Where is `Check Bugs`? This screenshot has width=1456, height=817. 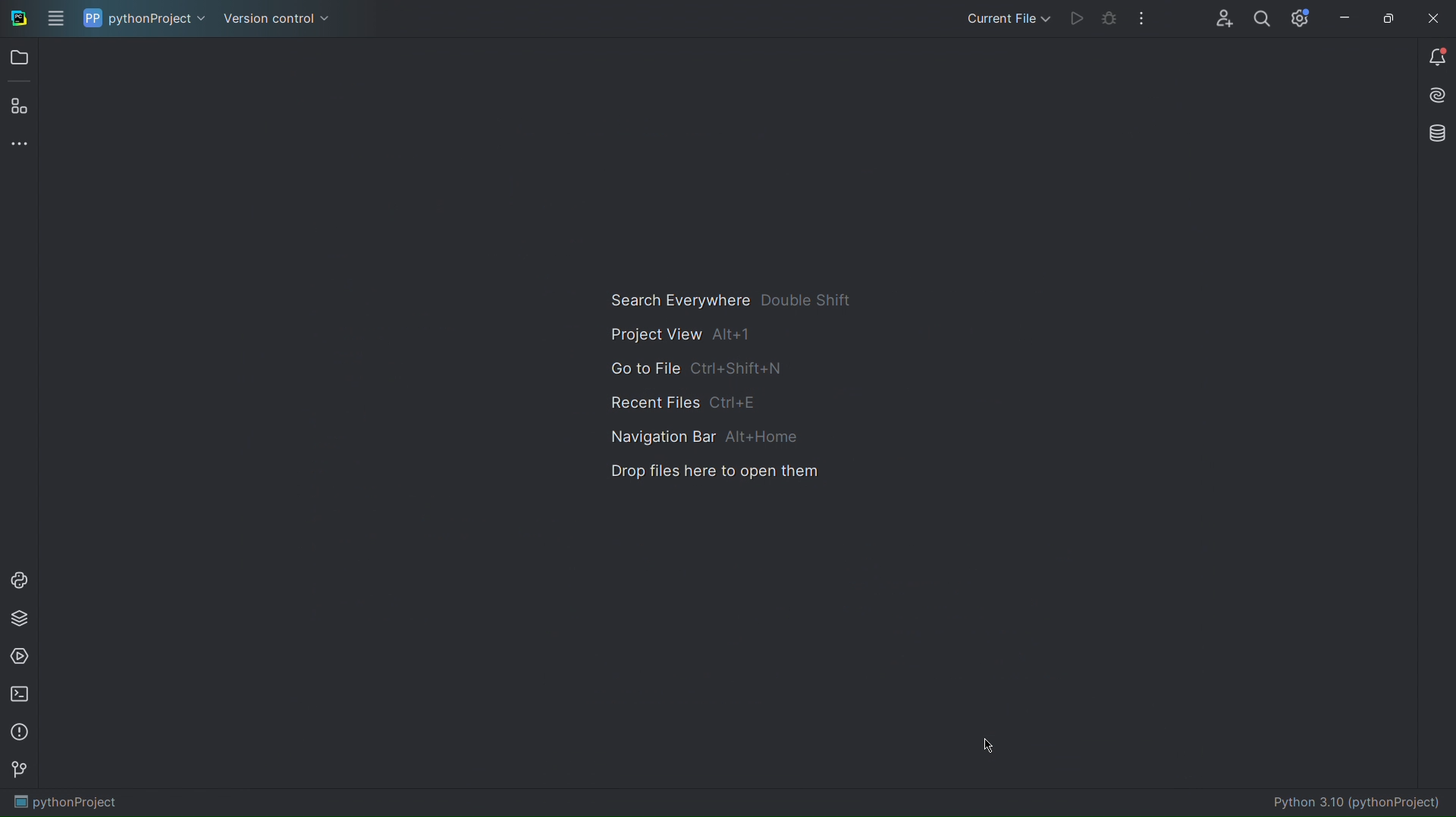 Check Bugs is located at coordinates (1110, 17).